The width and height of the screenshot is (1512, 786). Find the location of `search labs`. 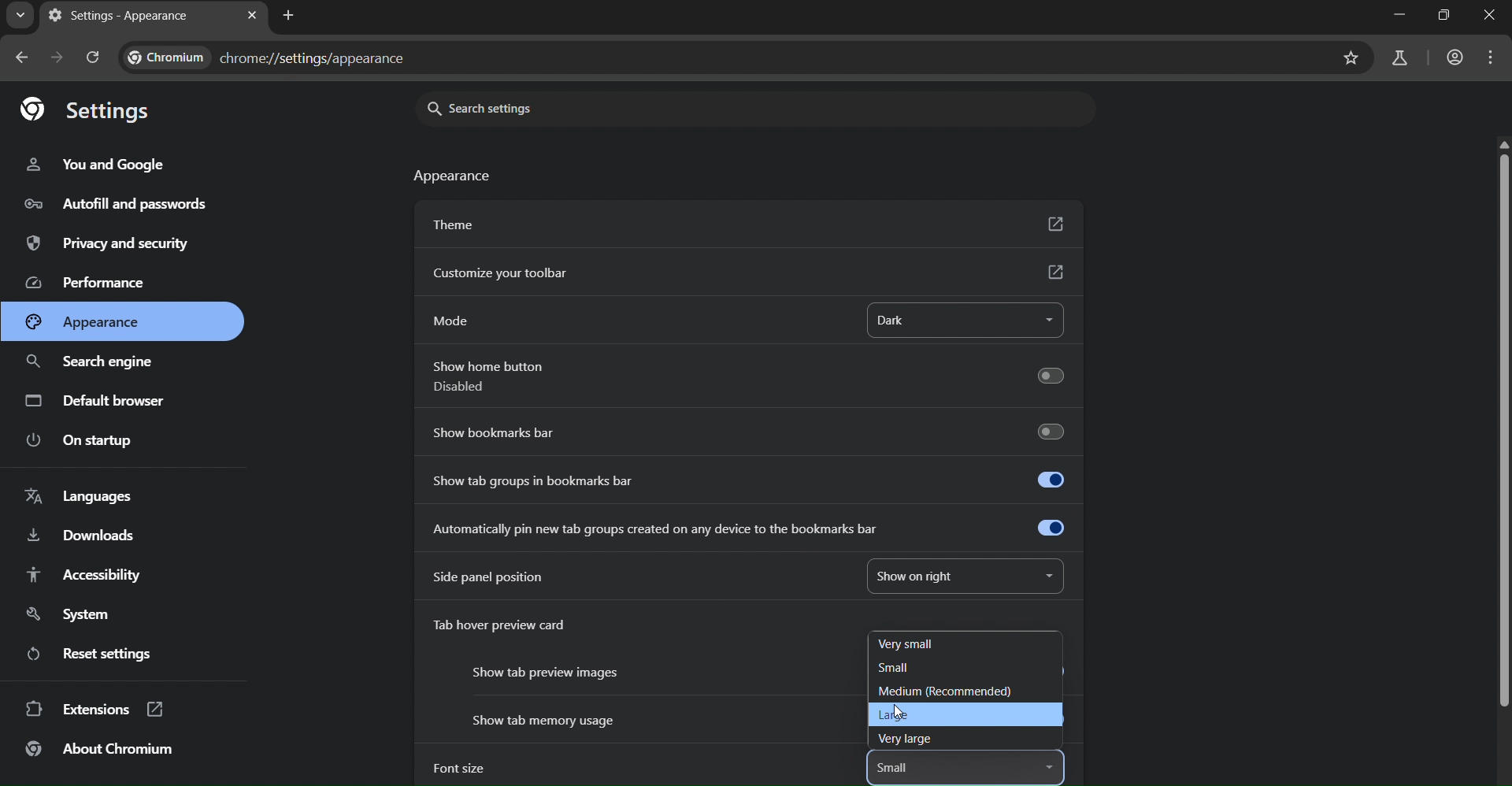

search labs is located at coordinates (1398, 59).